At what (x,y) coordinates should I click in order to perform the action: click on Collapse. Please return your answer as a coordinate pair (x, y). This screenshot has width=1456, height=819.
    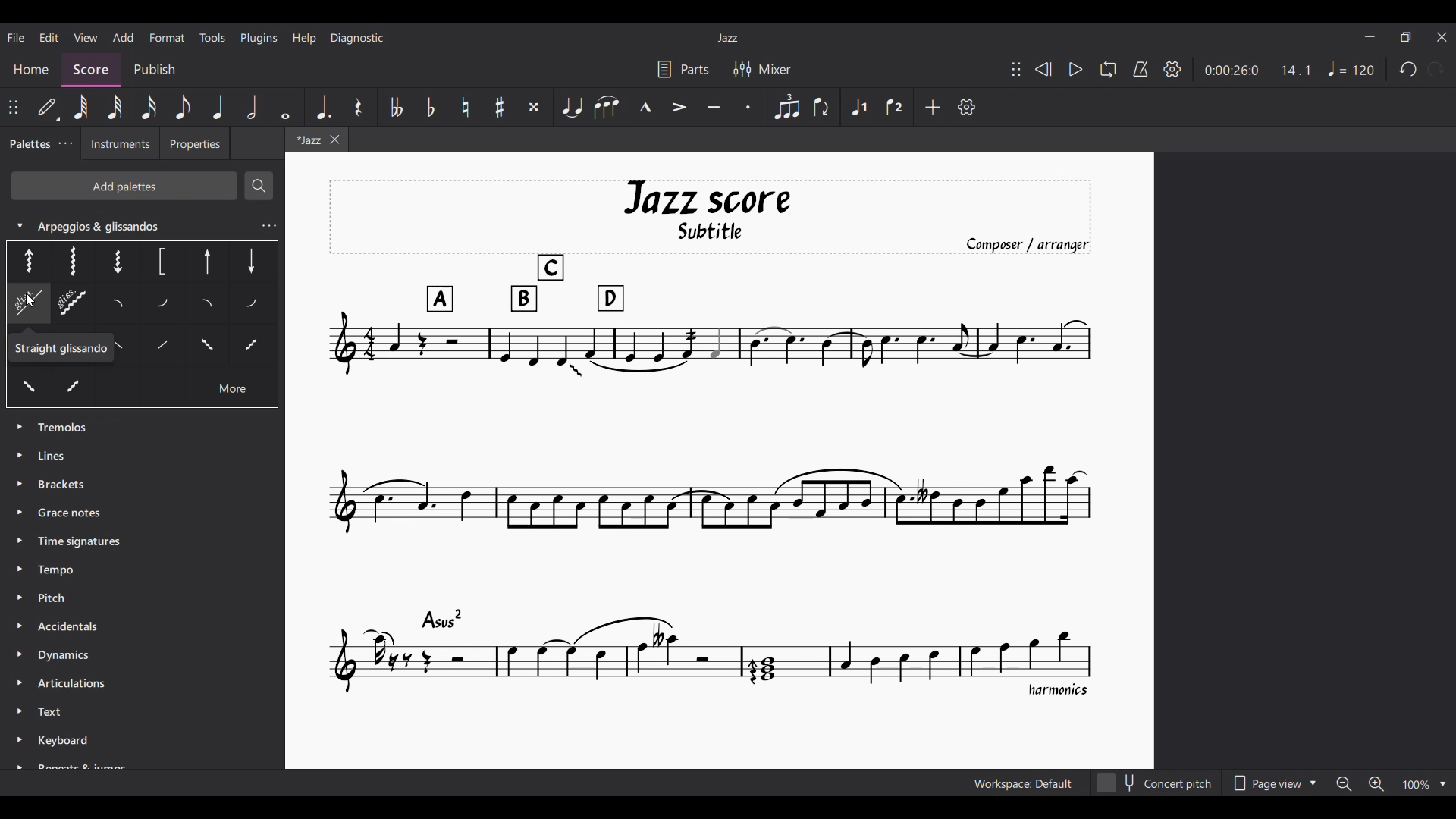
    Looking at the image, I should click on (19, 225).